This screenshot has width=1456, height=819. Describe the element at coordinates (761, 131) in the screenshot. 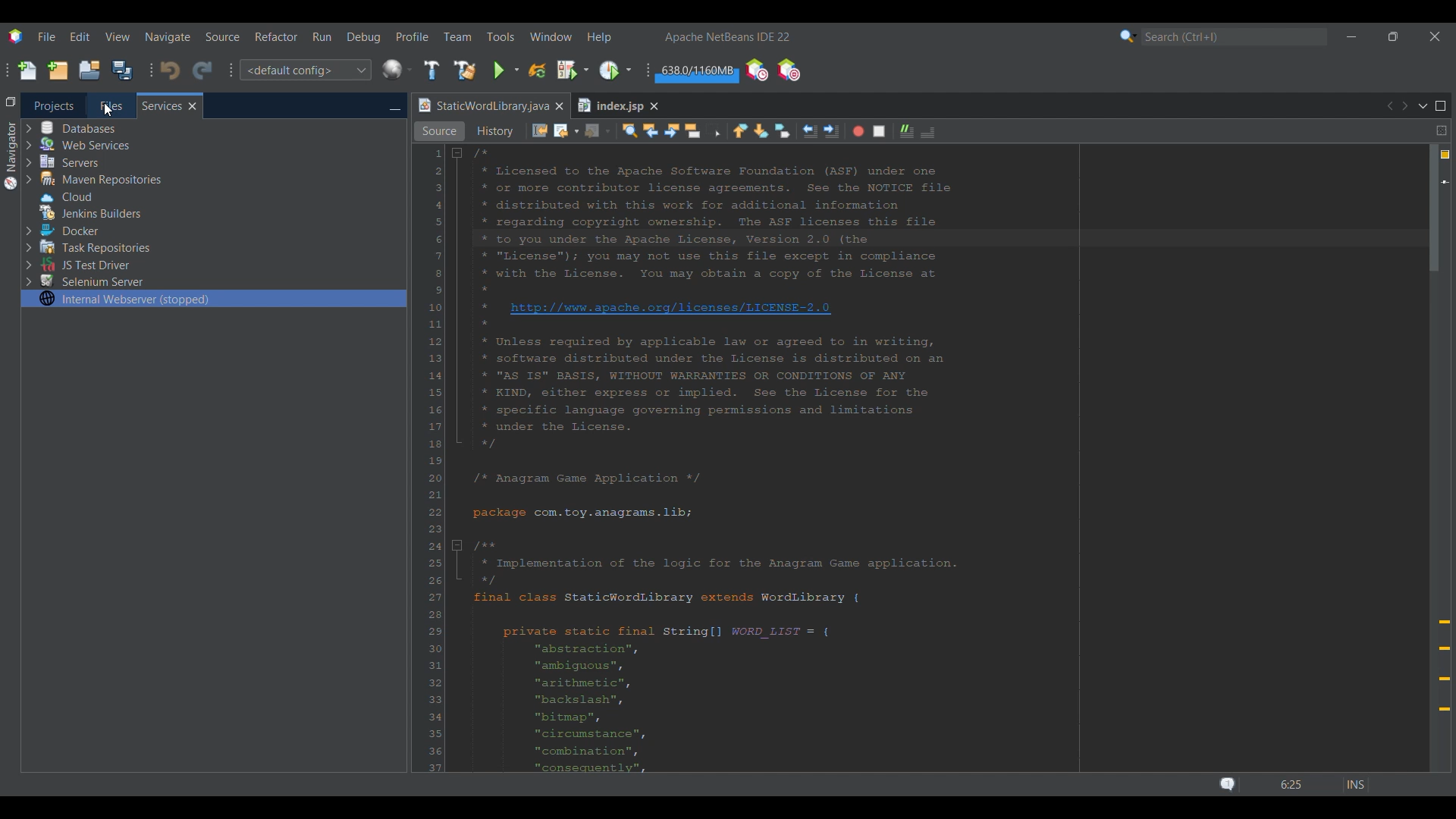

I see `Next bookmark` at that location.